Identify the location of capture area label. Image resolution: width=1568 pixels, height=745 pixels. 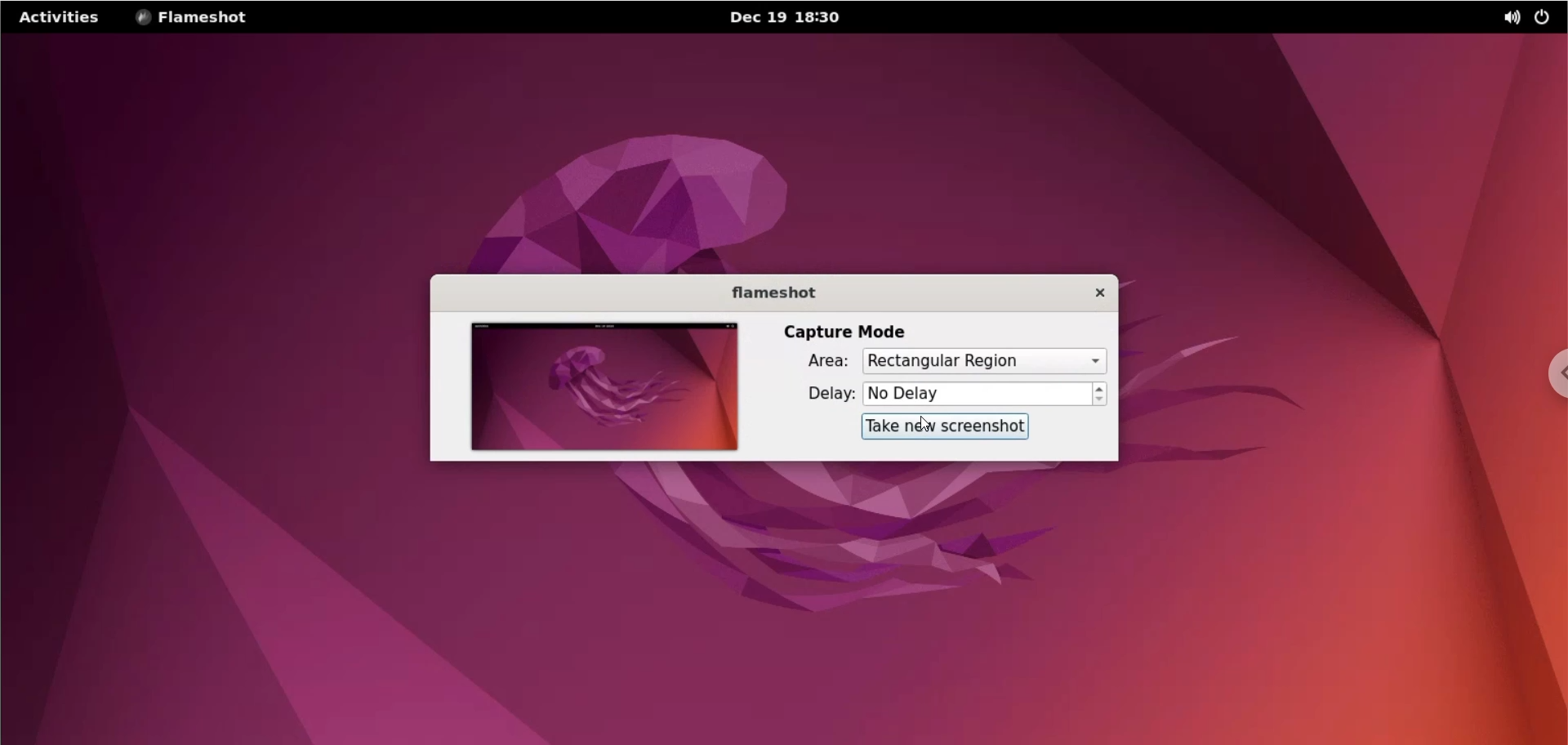
(815, 363).